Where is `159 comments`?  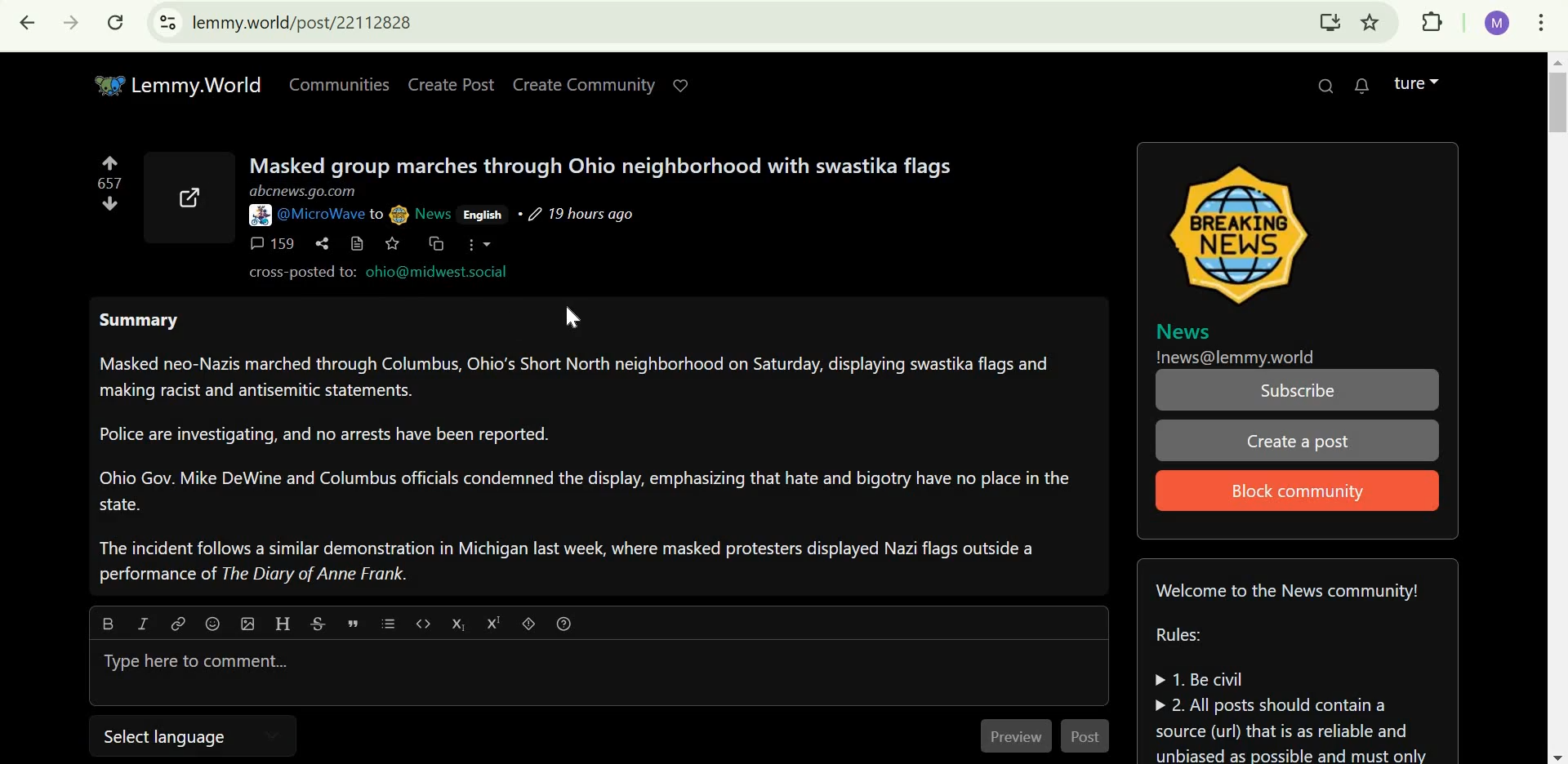 159 comments is located at coordinates (266, 243).